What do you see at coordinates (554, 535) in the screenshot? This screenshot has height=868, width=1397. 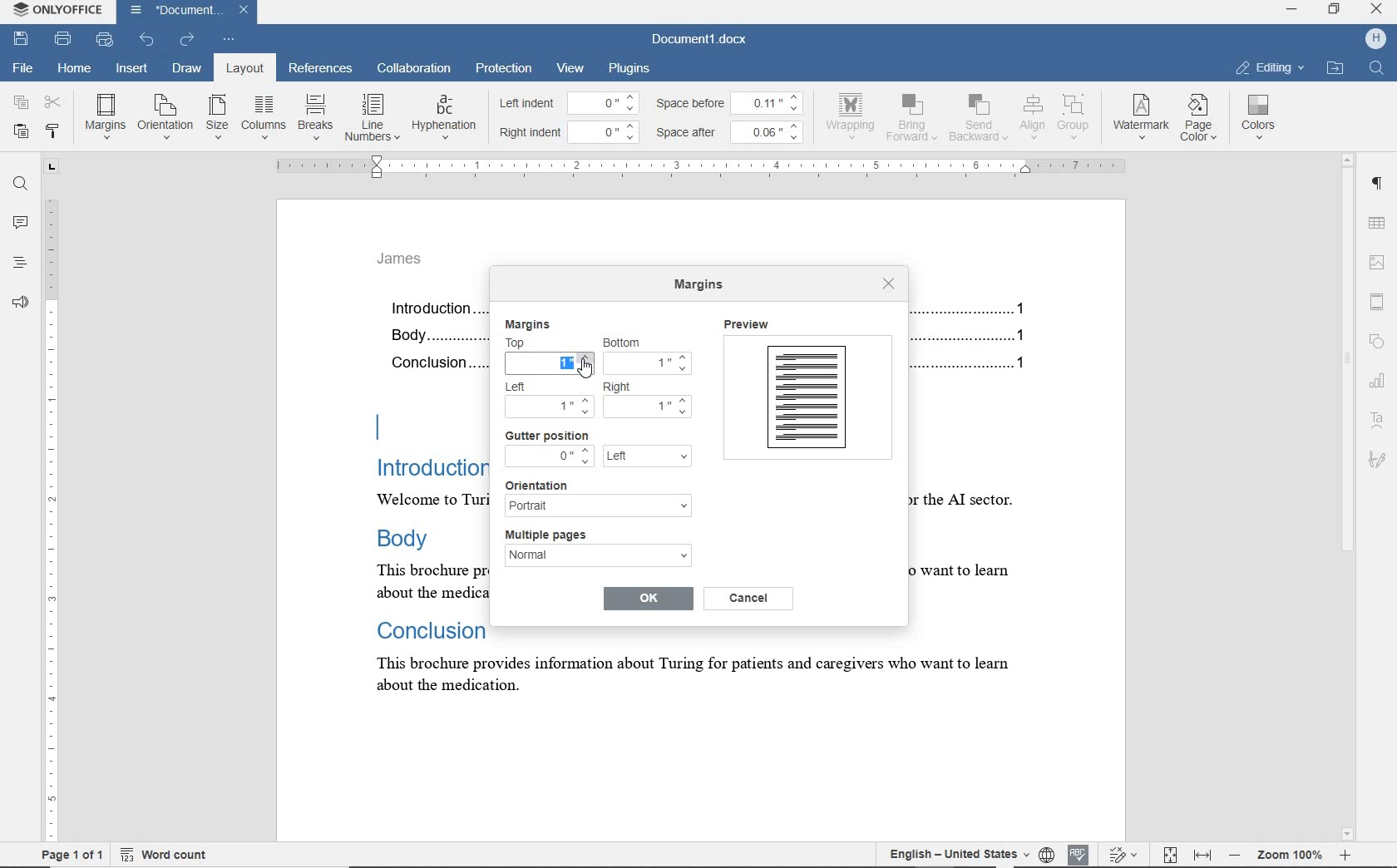 I see `multiple pages` at bounding box center [554, 535].